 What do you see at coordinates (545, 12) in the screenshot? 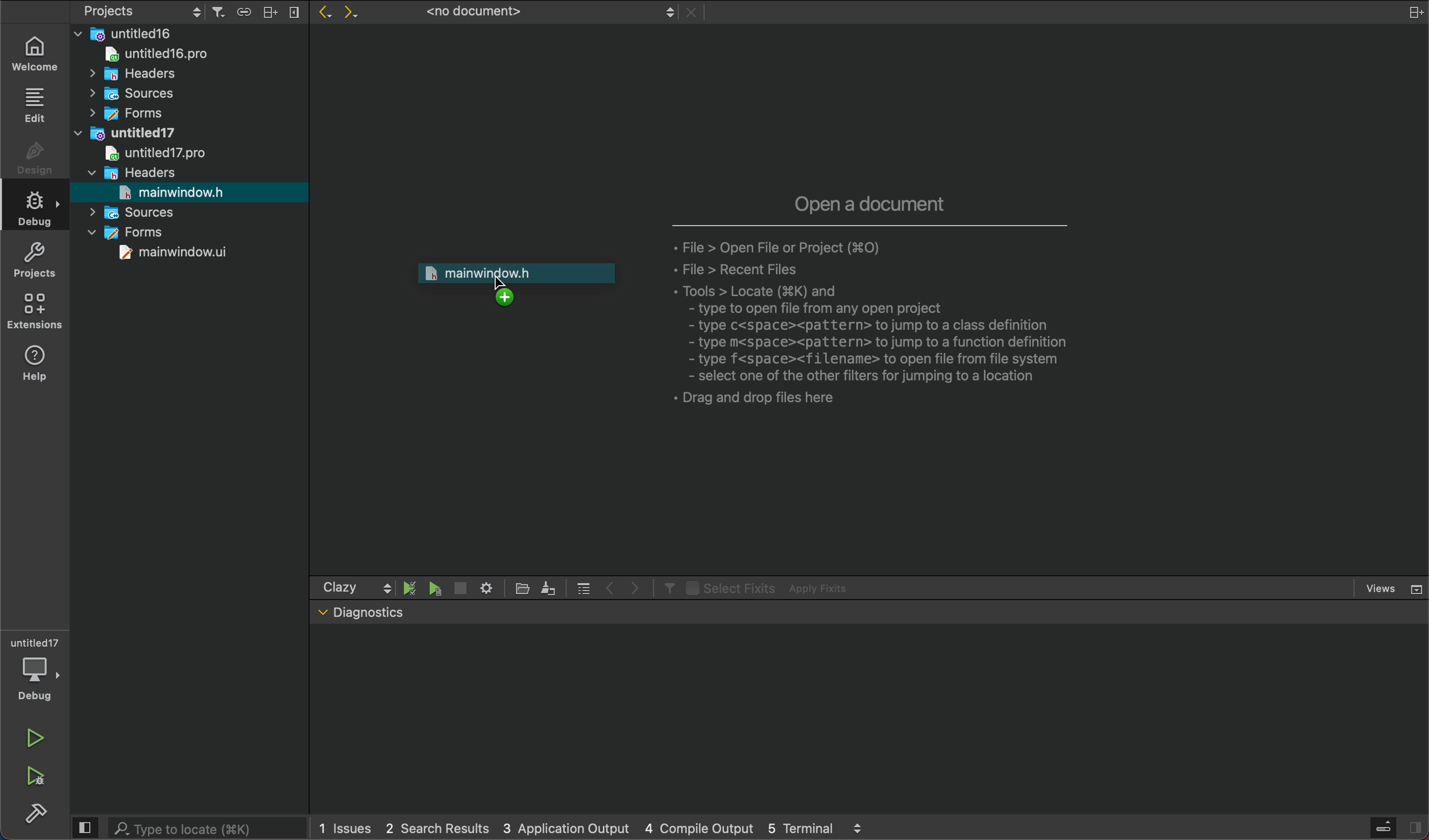
I see `<no document>` at bounding box center [545, 12].